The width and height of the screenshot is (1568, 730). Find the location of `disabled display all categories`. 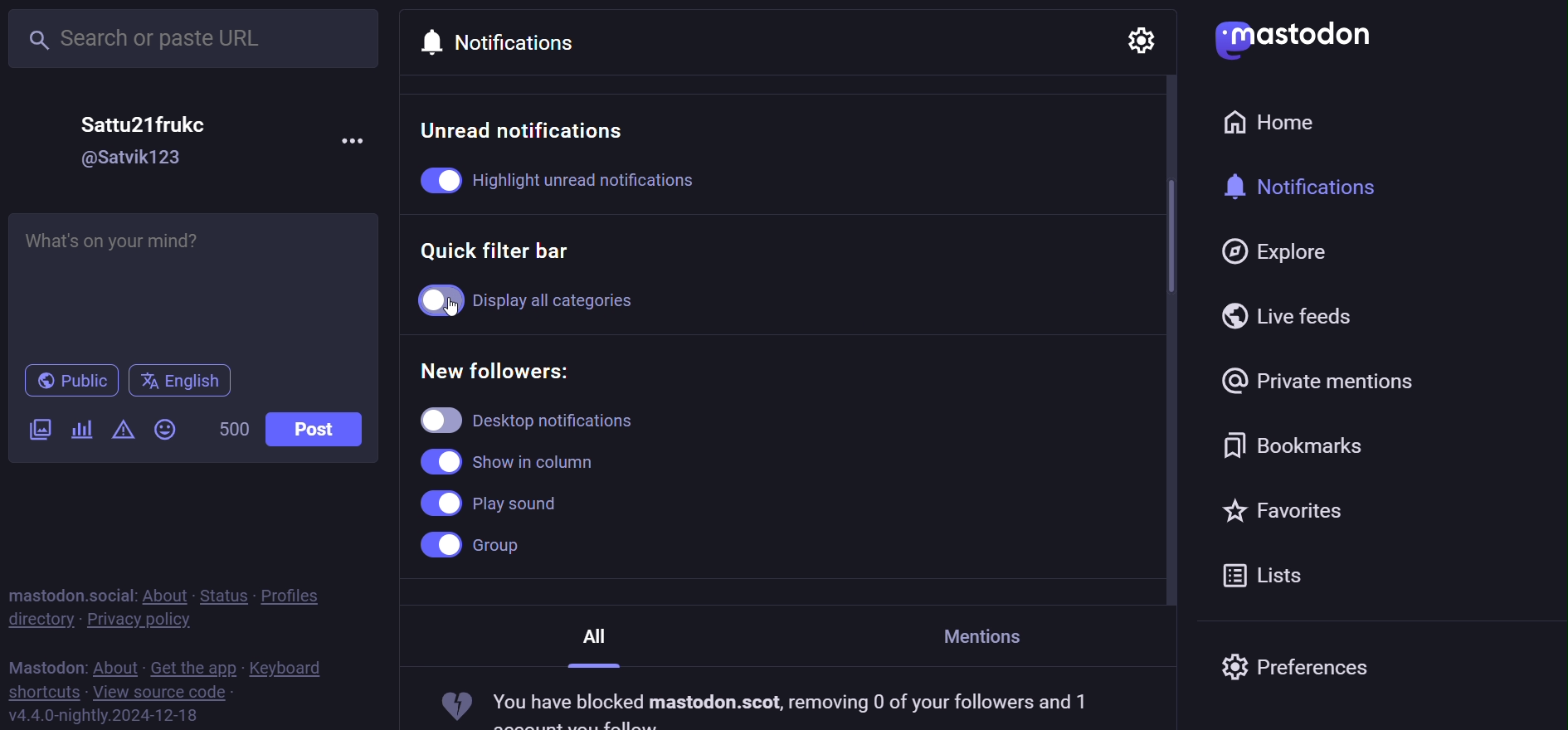

disabled display all categories is located at coordinates (538, 296).